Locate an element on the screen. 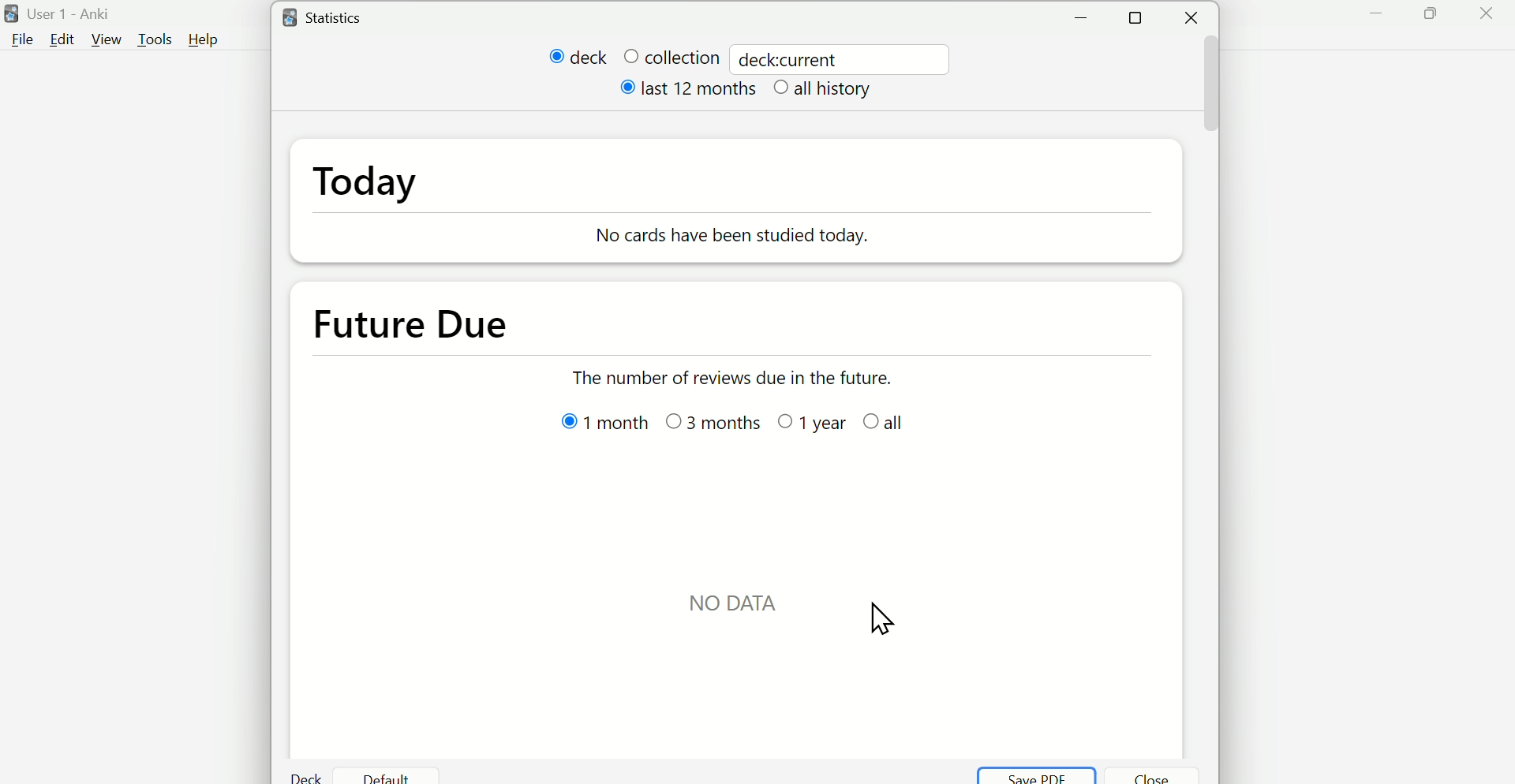 The image size is (1515, 784).  is located at coordinates (735, 602).